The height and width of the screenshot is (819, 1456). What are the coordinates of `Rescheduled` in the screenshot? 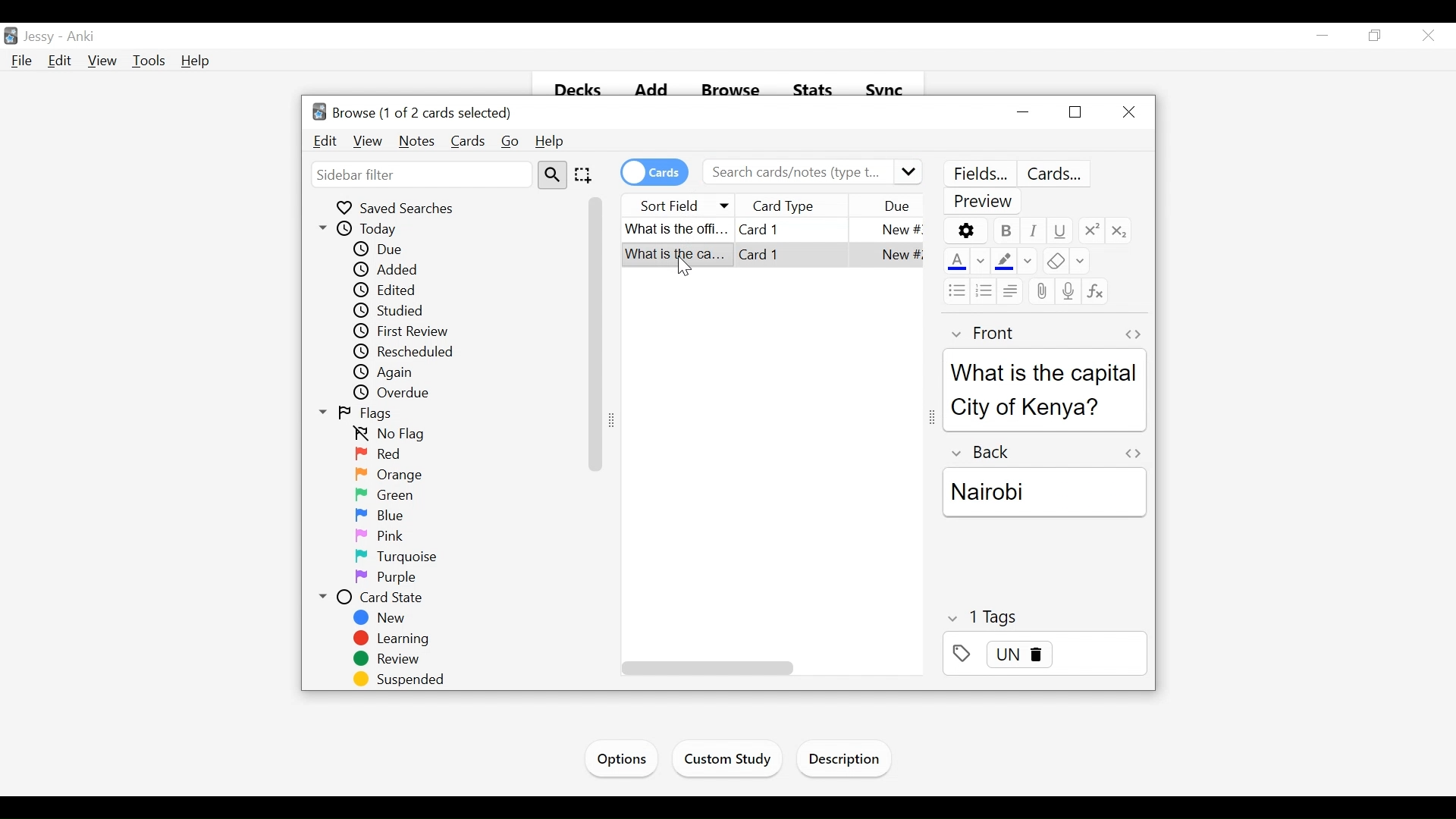 It's located at (406, 352).